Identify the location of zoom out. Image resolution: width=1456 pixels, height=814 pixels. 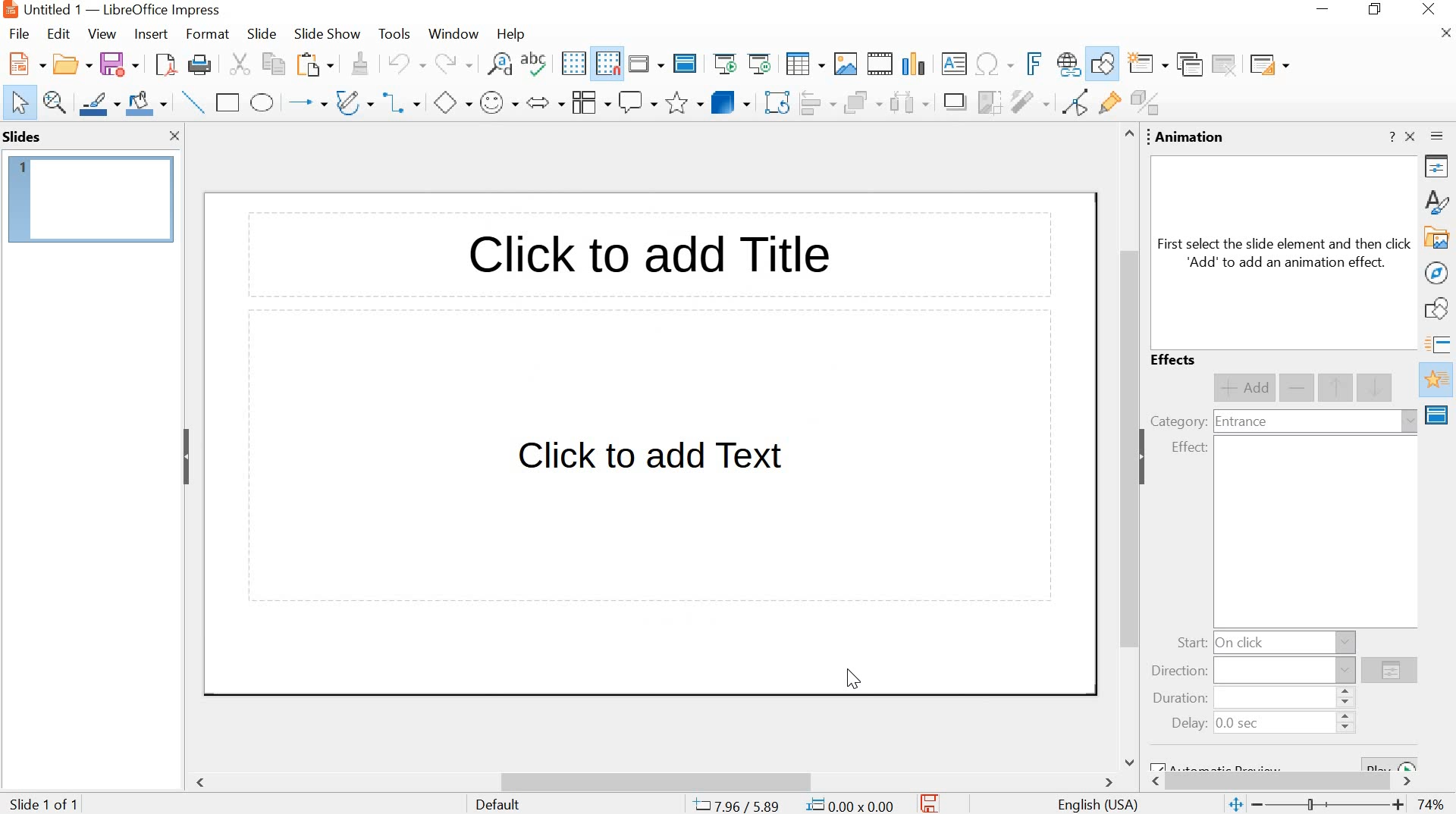
(1259, 805).